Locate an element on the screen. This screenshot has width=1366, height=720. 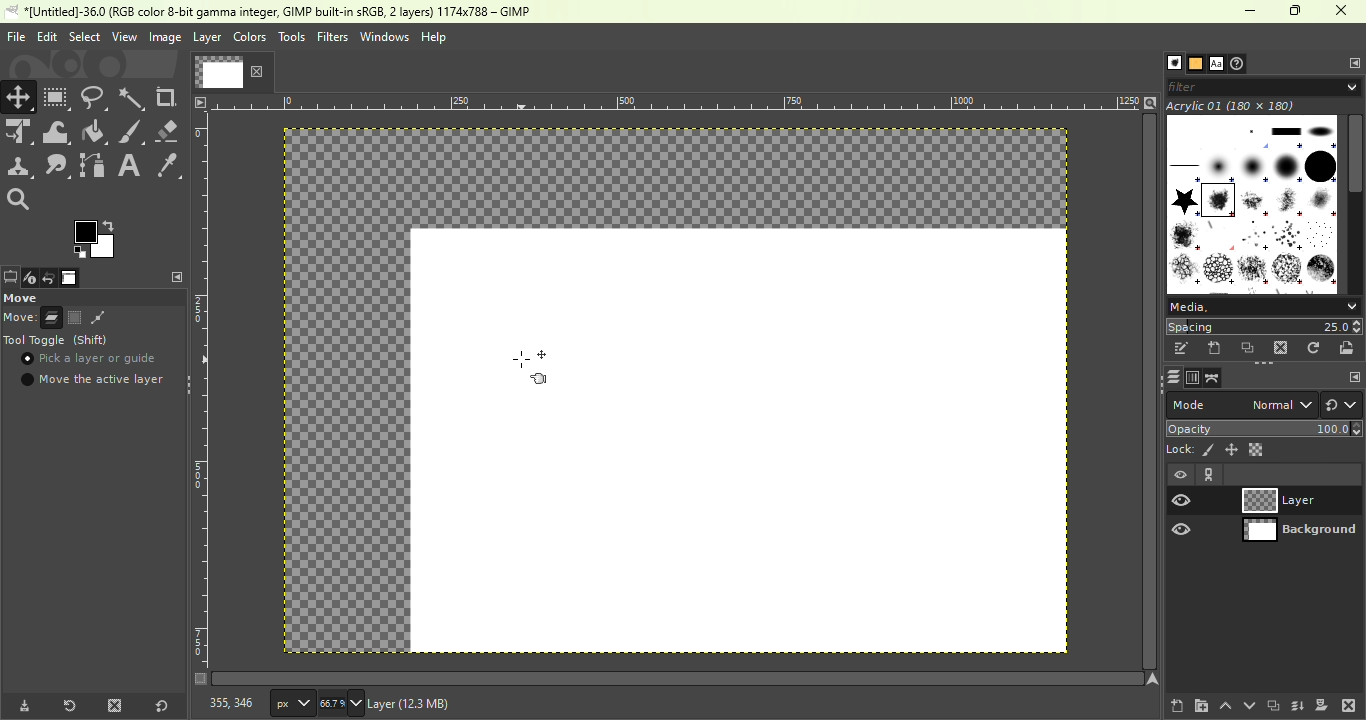
Undo history is located at coordinates (46, 279).